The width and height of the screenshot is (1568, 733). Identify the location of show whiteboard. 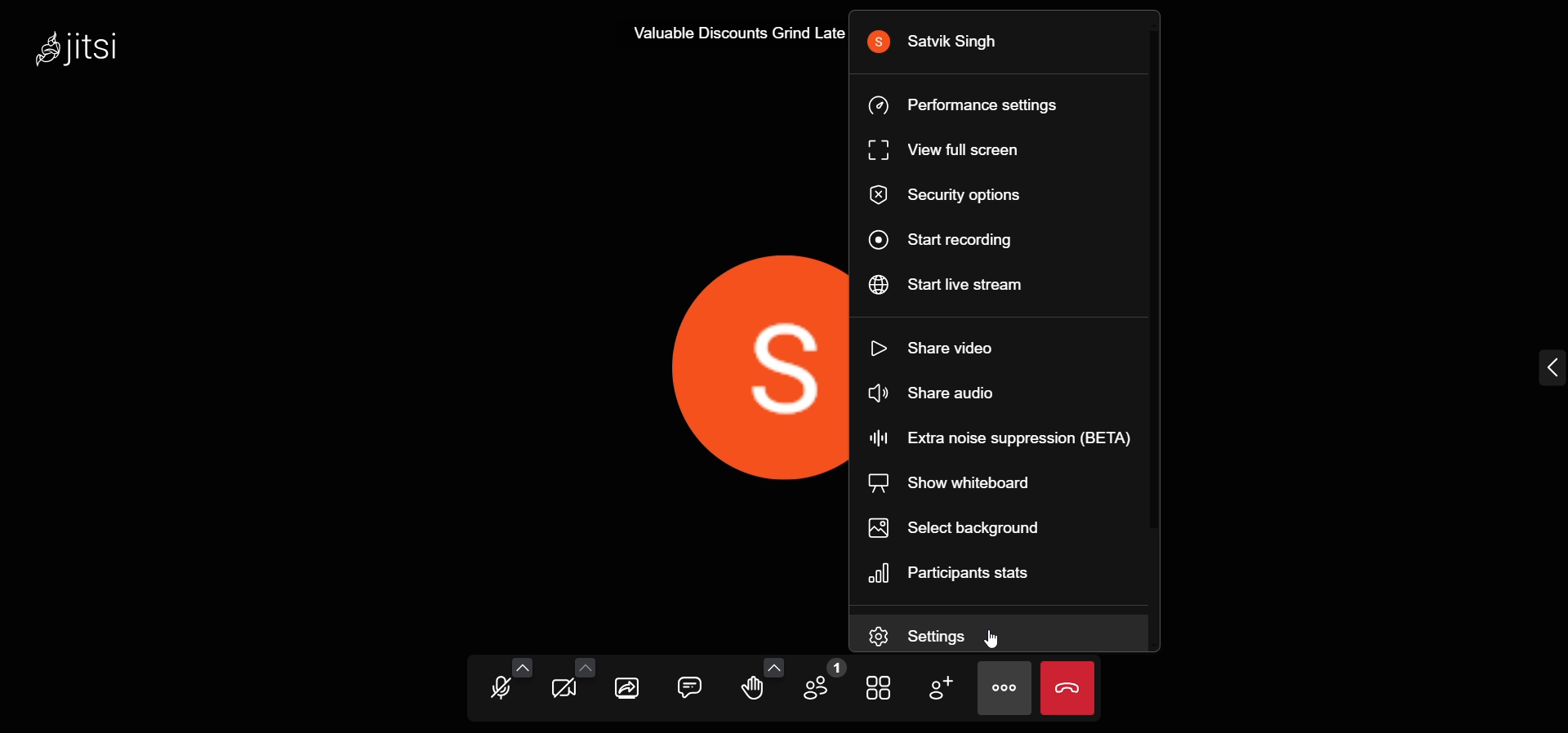
(946, 484).